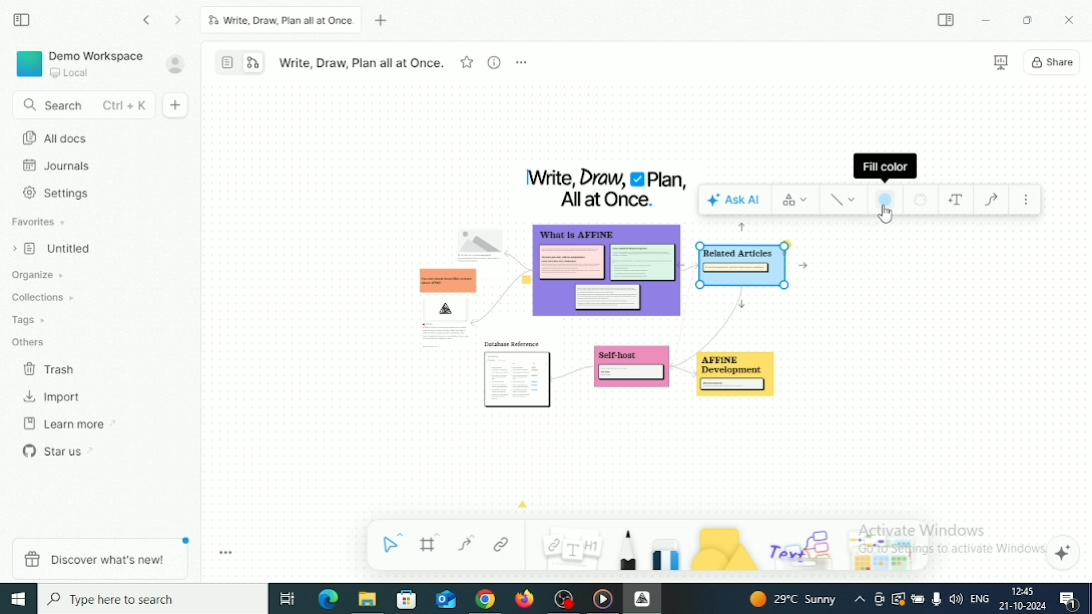 This screenshot has height=614, width=1092. I want to click on Restore Down, so click(1029, 20).